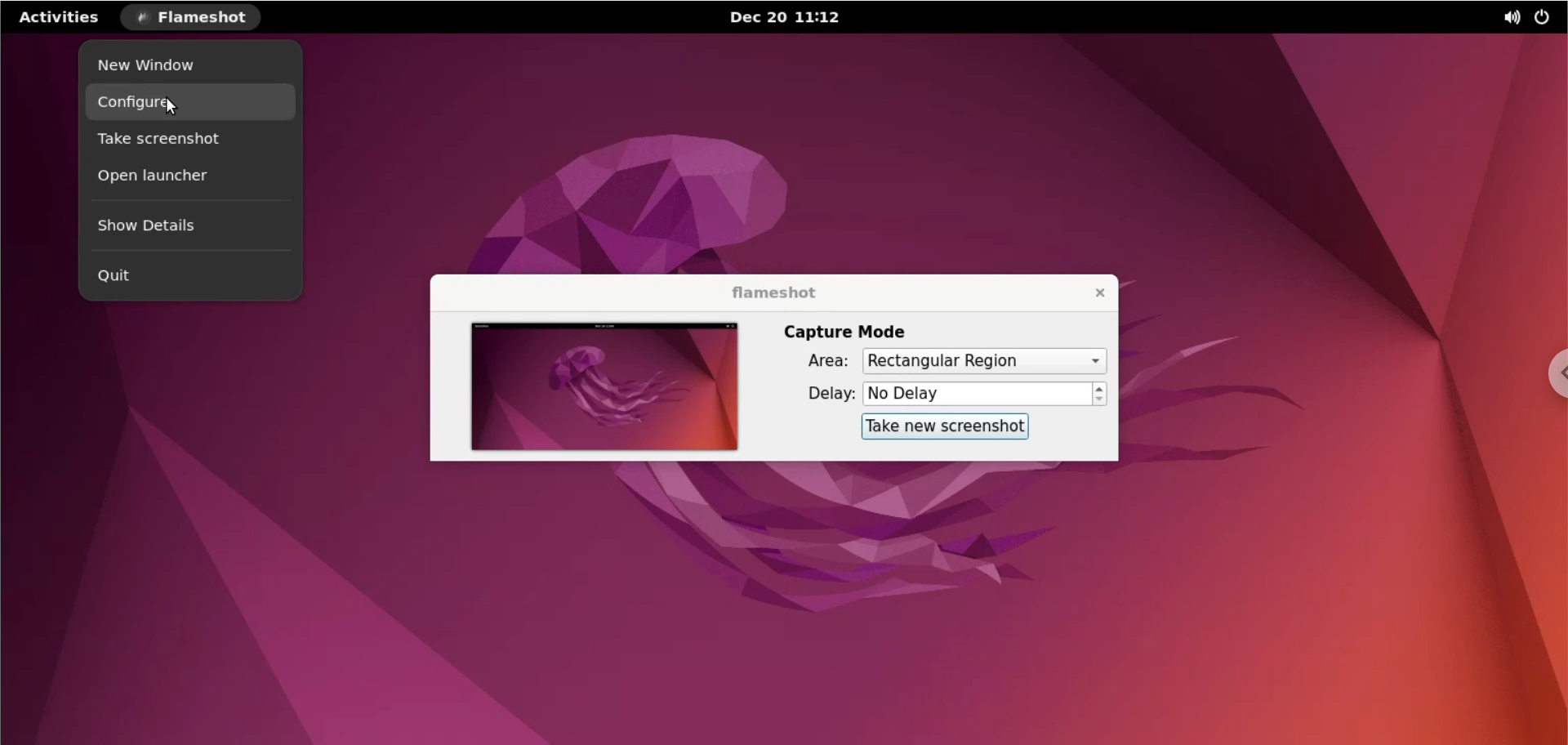 This screenshot has width=1568, height=745. Describe the element at coordinates (1553, 372) in the screenshot. I see `chrome options` at that location.